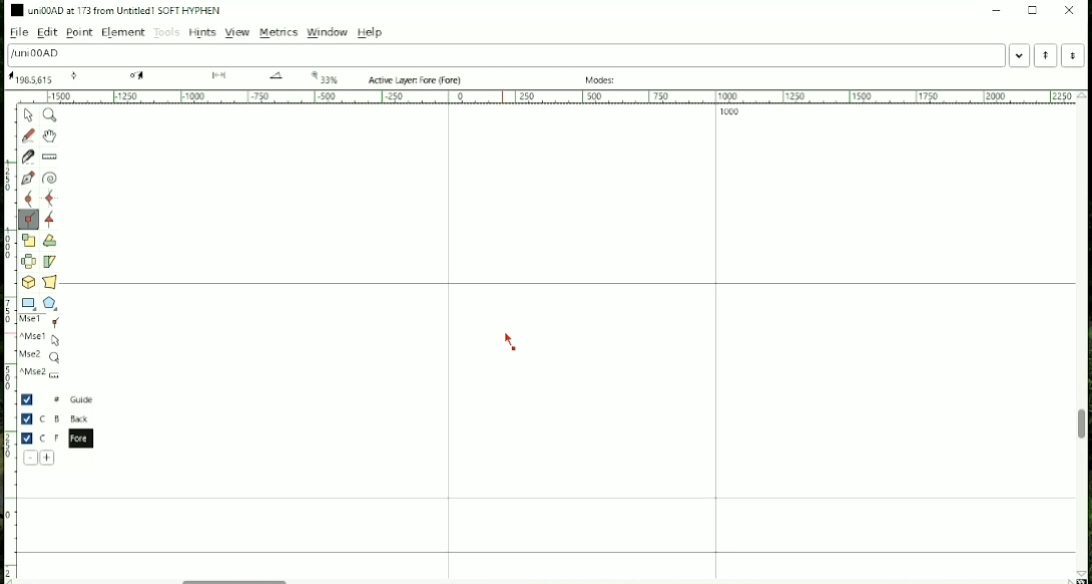  I want to click on Metrics, so click(279, 33).